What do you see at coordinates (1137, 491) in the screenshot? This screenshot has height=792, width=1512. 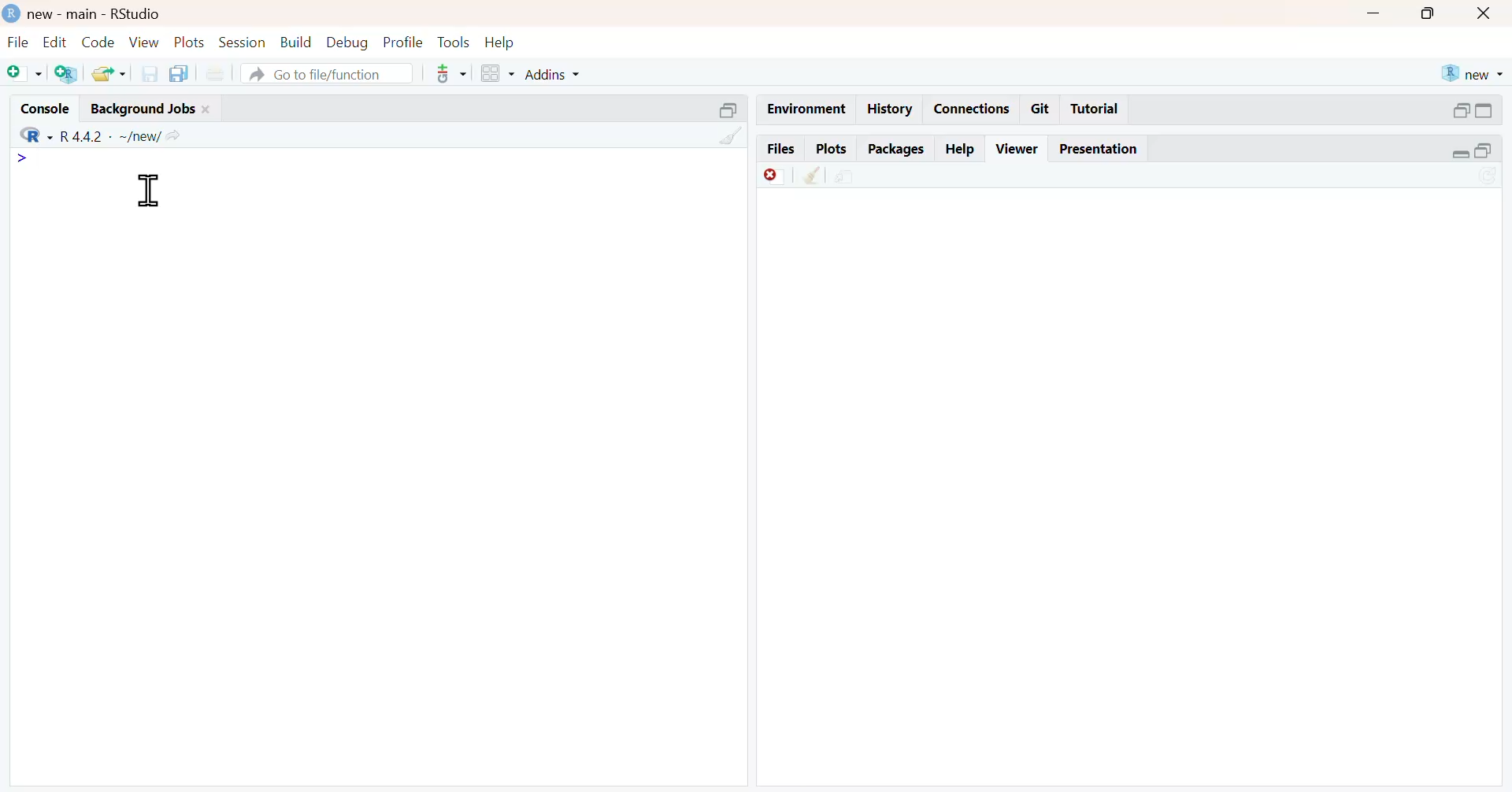 I see `empty area` at bounding box center [1137, 491].